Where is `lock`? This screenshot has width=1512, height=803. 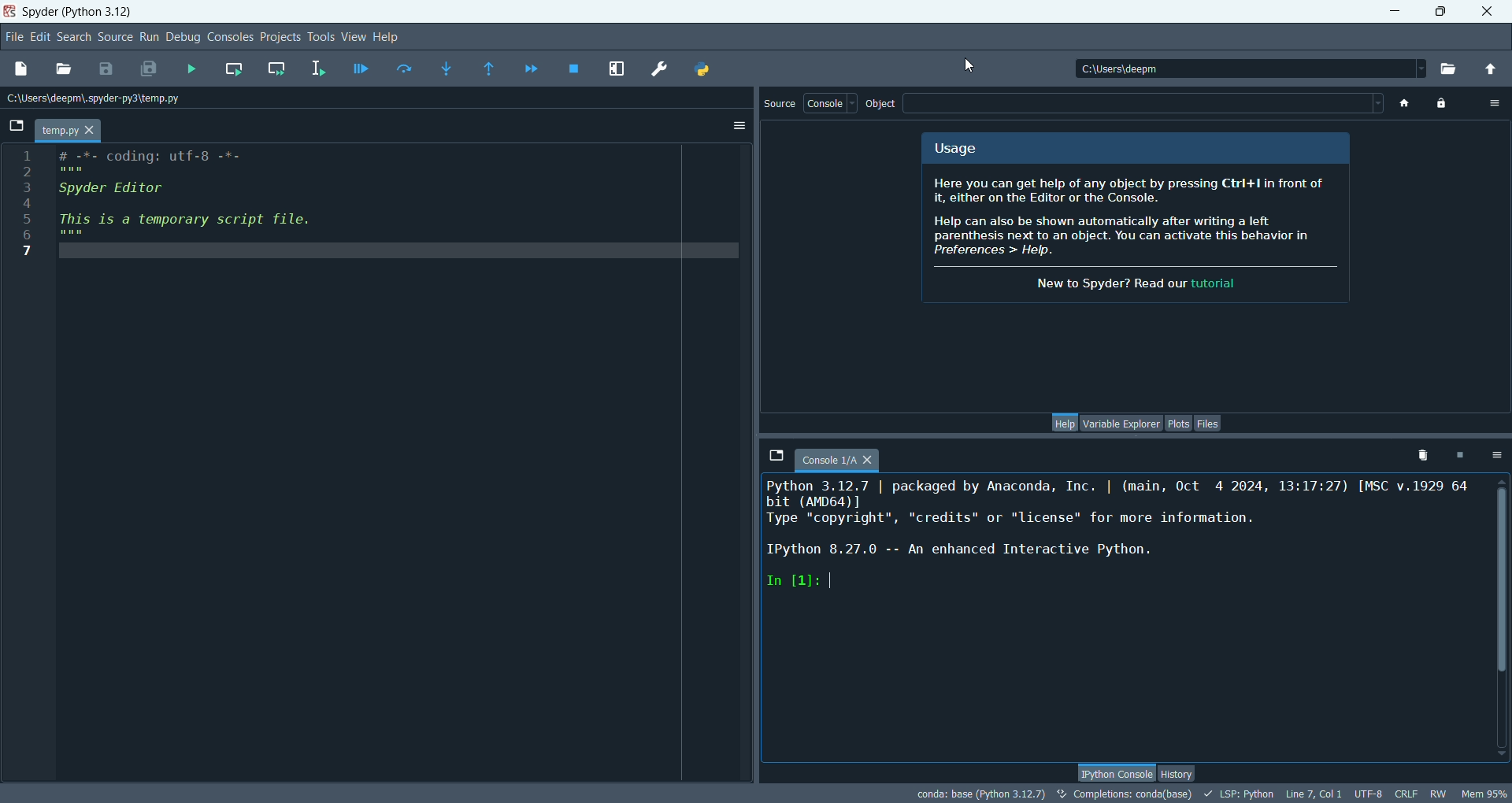
lock is located at coordinates (1440, 103).